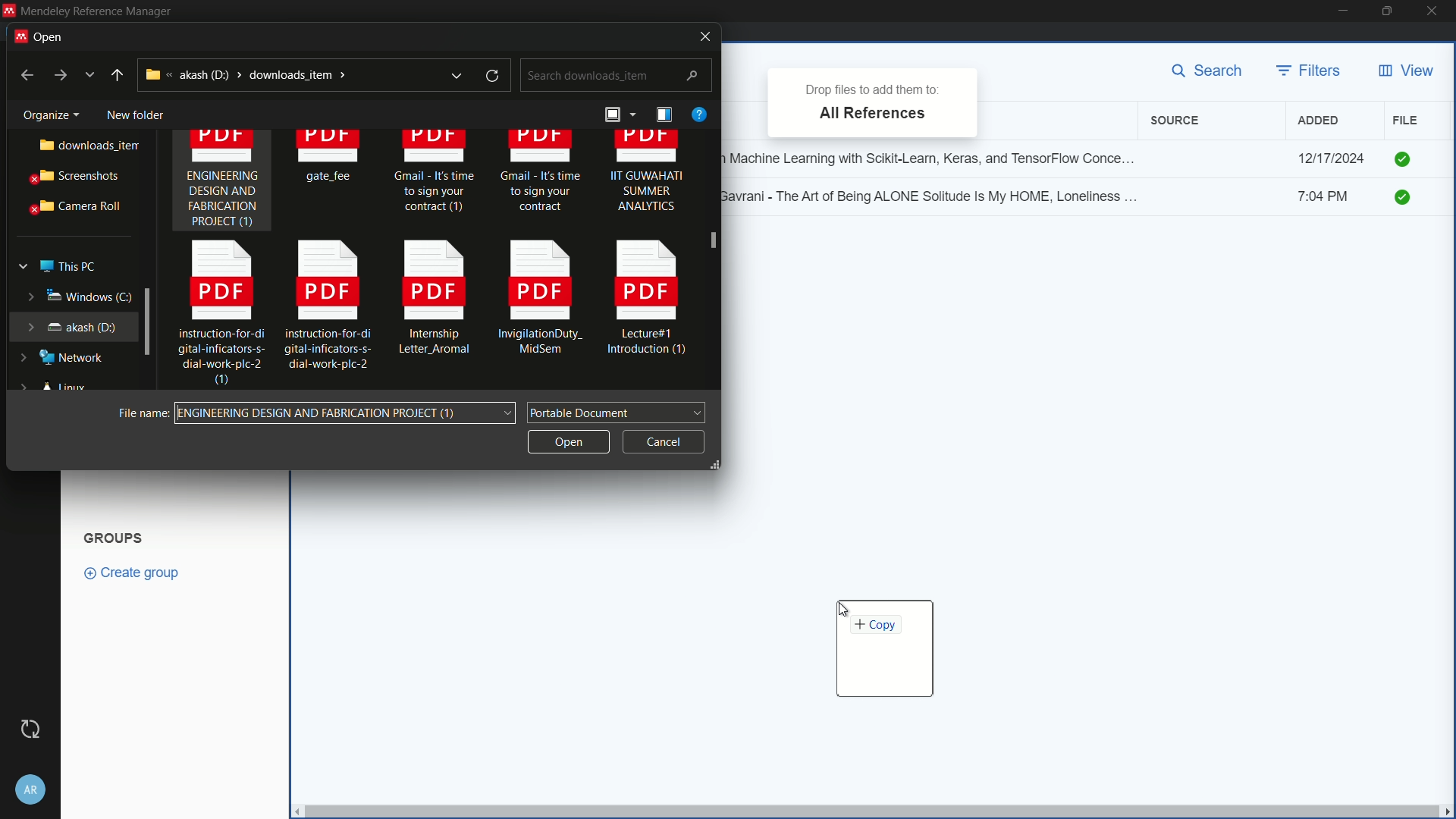  What do you see at coordinates (1332, 199) in the screenshot?
I see `7:04 PM` at bounding box center [1332, 199].